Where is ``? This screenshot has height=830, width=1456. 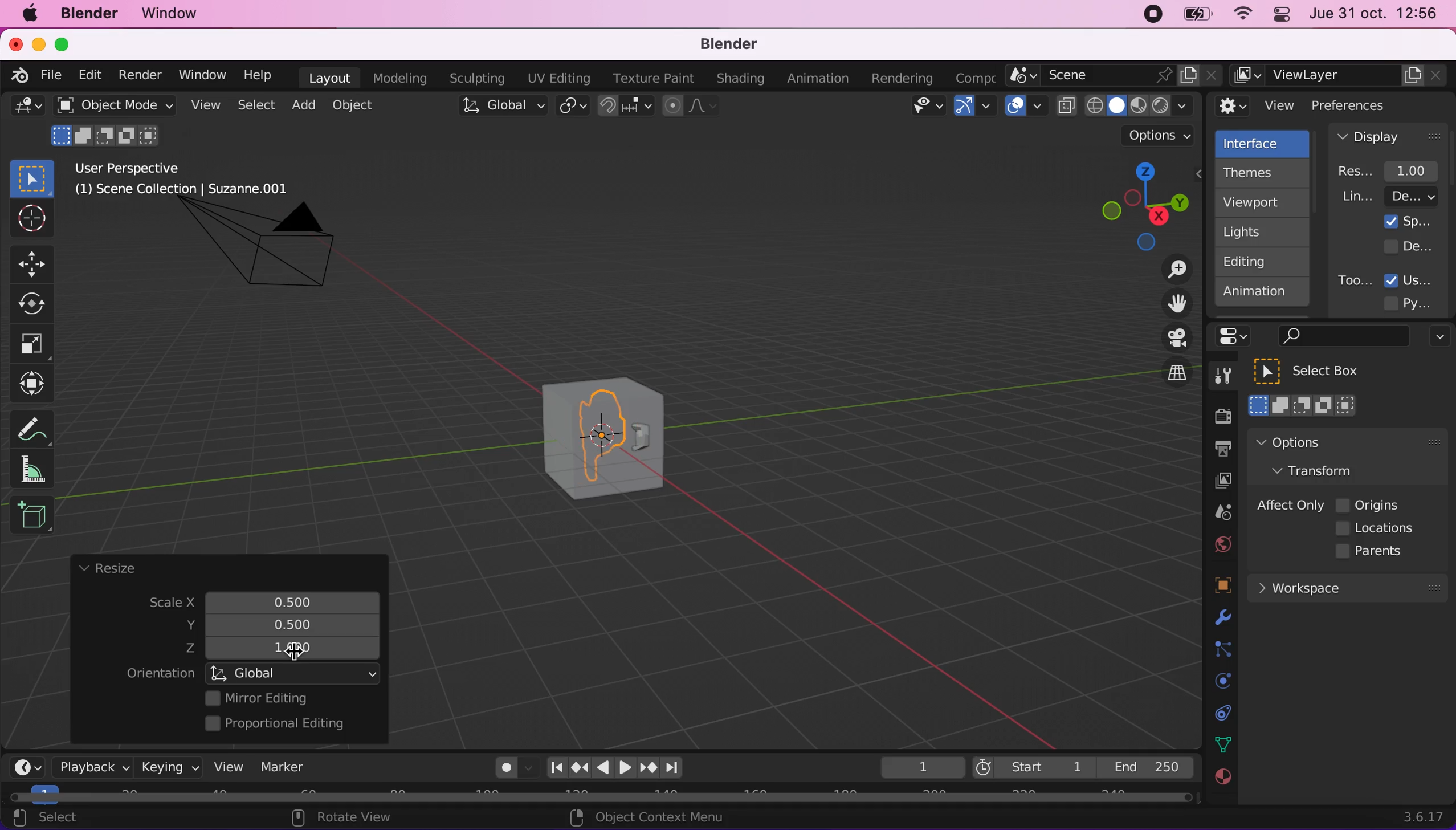
 is located at coordinates (30, 219).